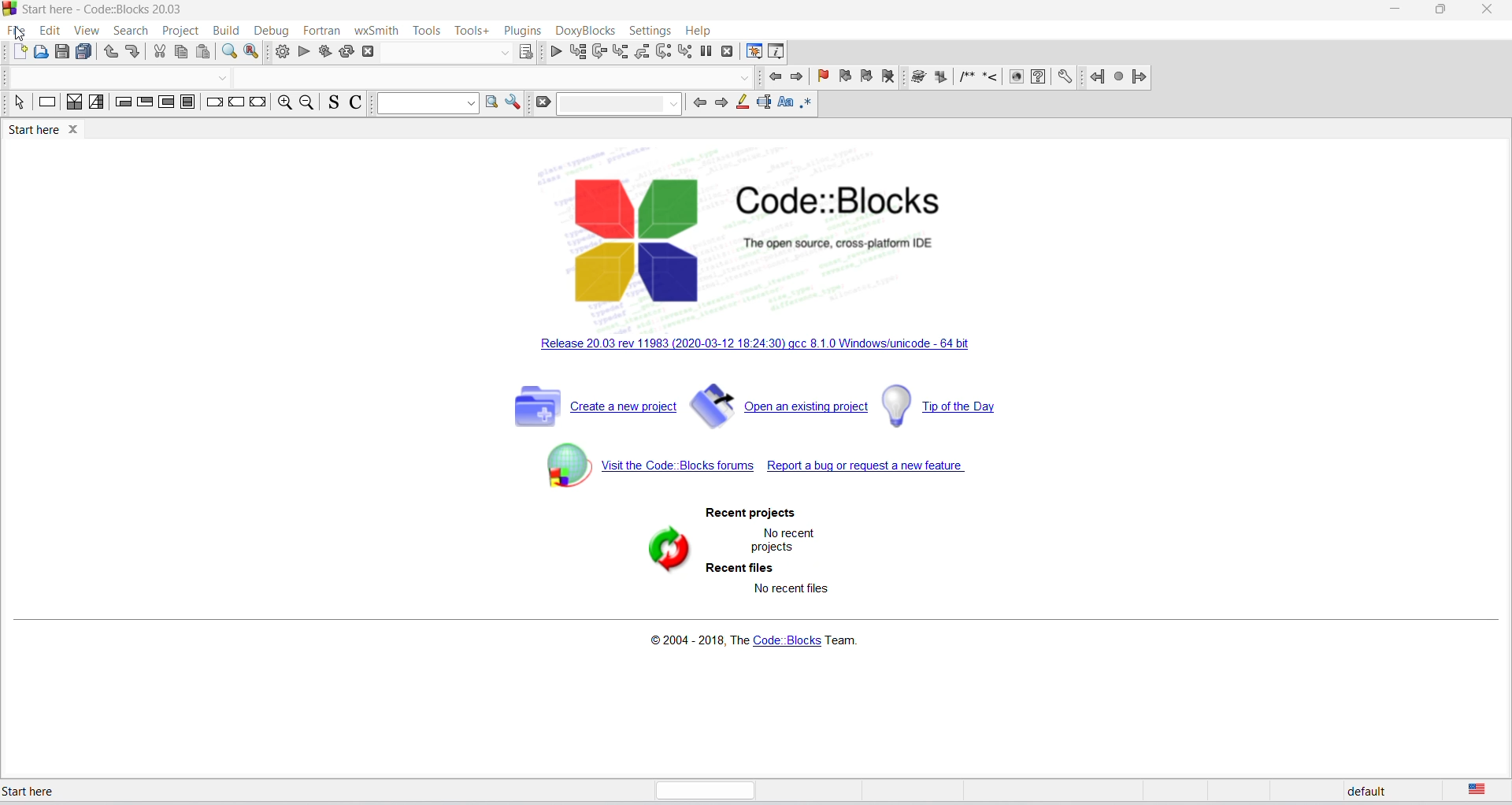 The height and width of the screenshot is (805, 1512). I want to click on regex, so click(806, 106).